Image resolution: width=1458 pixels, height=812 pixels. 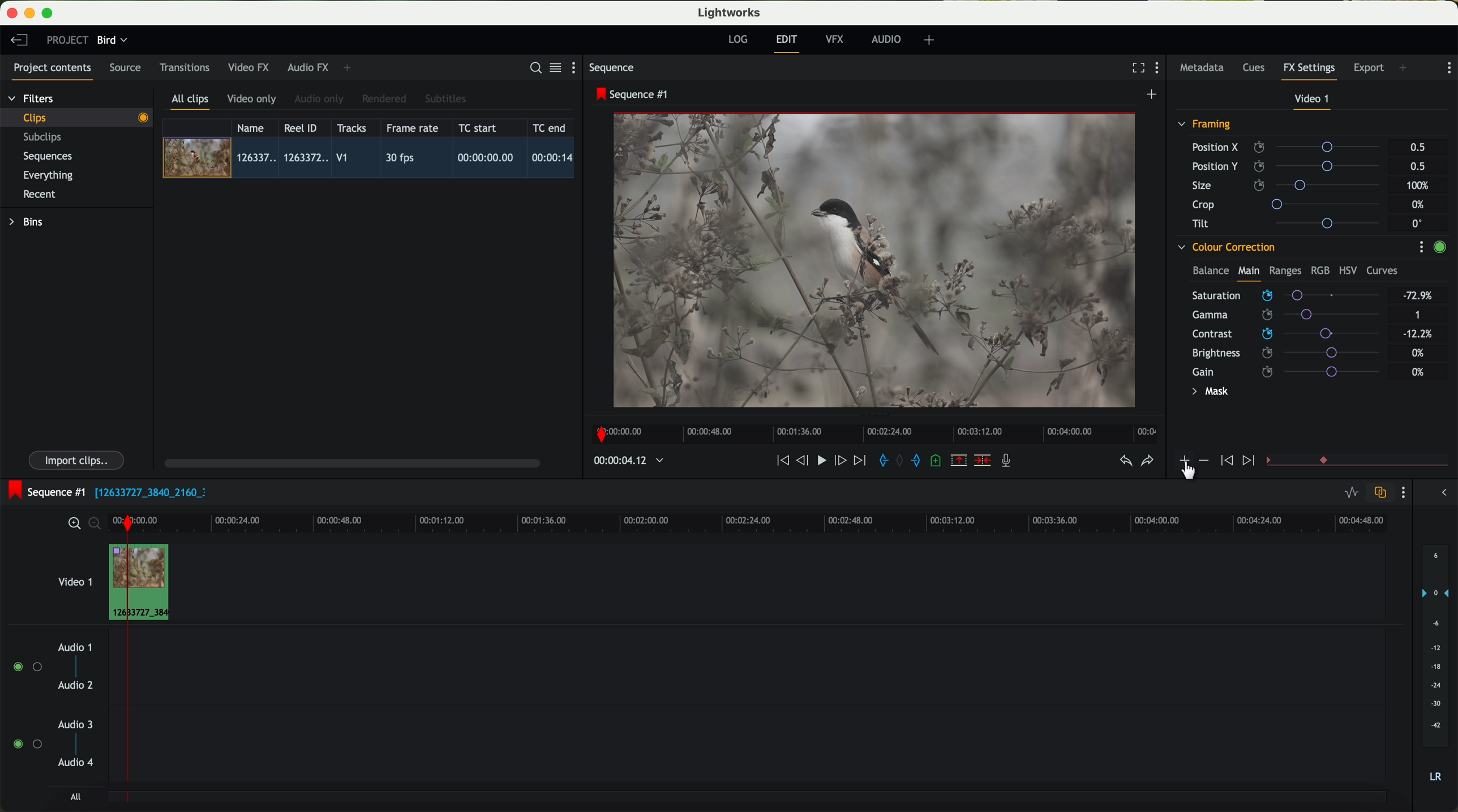 What do you see at coordinates (1285, 293) in the screenshot?
I see `mouse up (saturation)` at bounding box center [1285, 293].